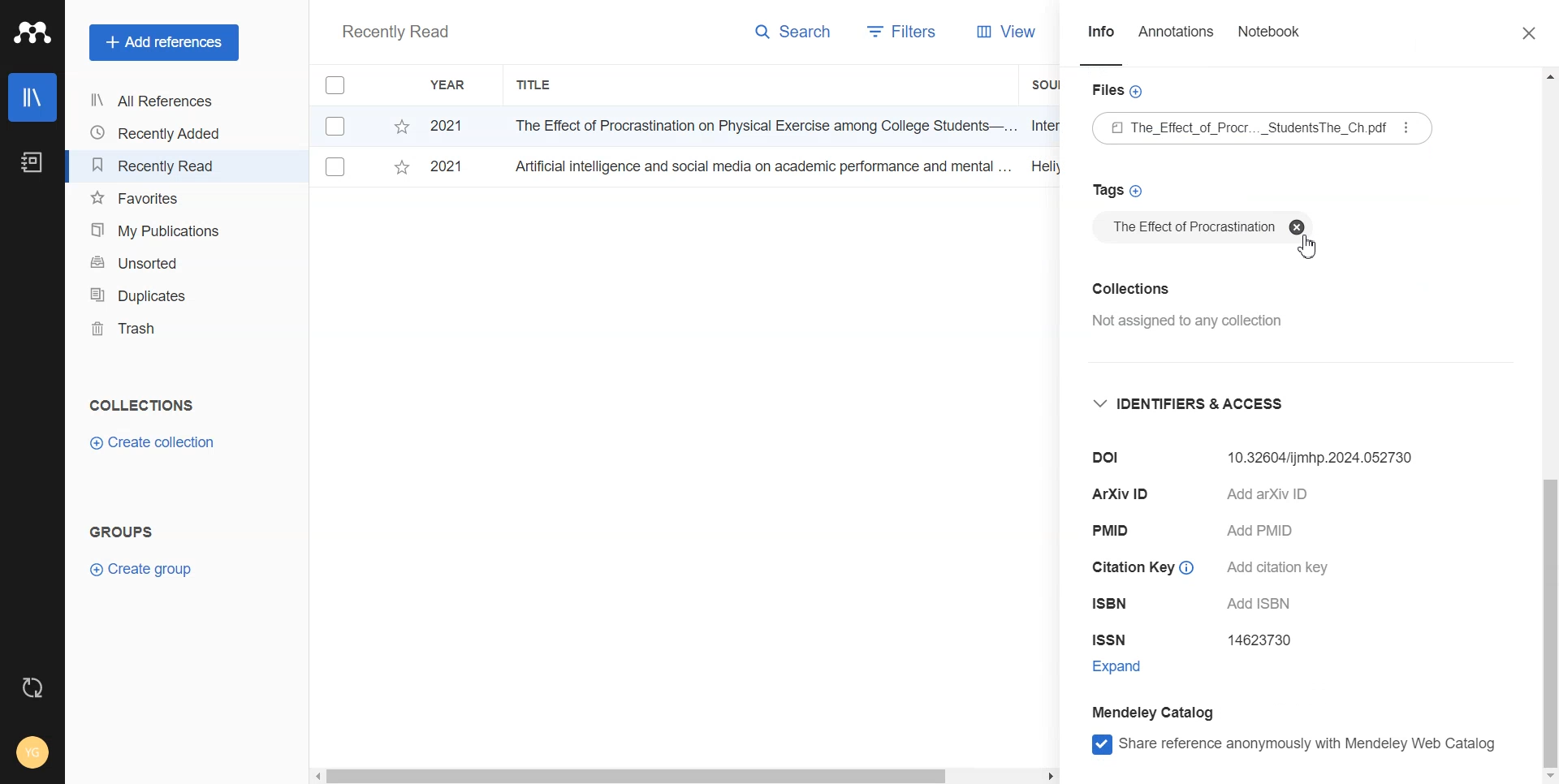  Describe the element at coordinates (1116, 90) in the screenshot. I see `Add Files` at that location.